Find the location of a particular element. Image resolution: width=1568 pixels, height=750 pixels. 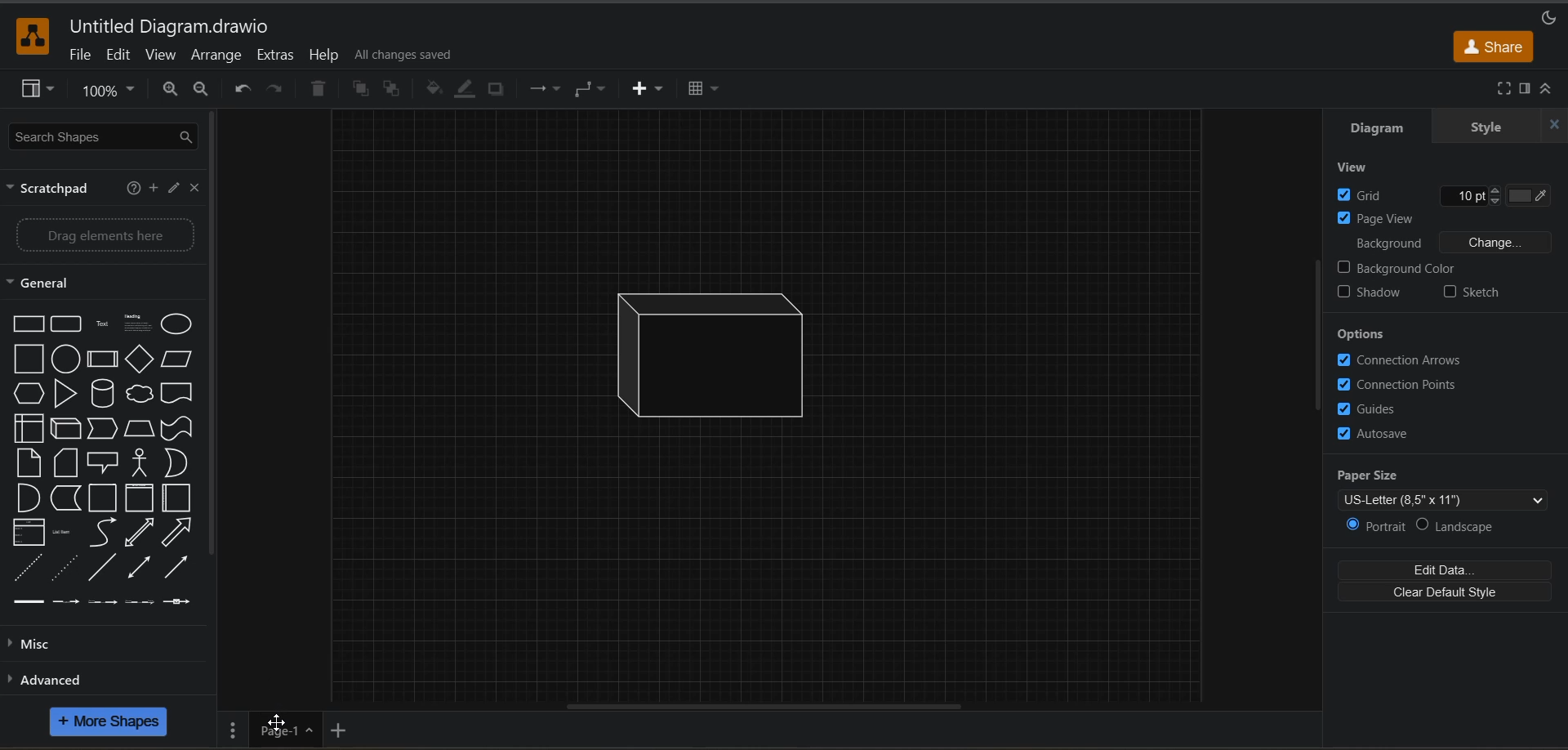

advanced is located at coordinates (49, 679).